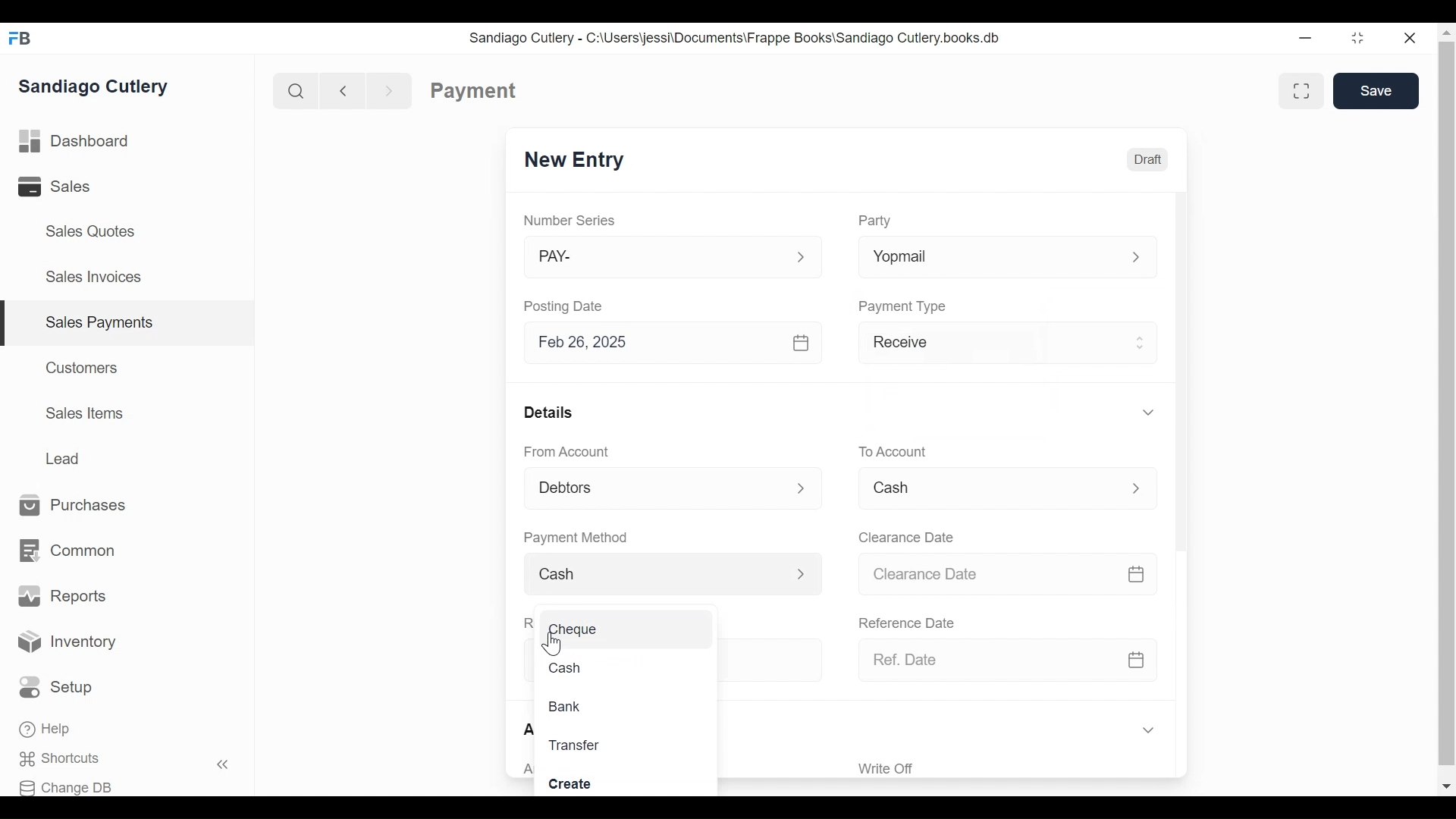  Describe the element at coordinates (1147, 412) in the screenshot. I see `Expand` at that location.